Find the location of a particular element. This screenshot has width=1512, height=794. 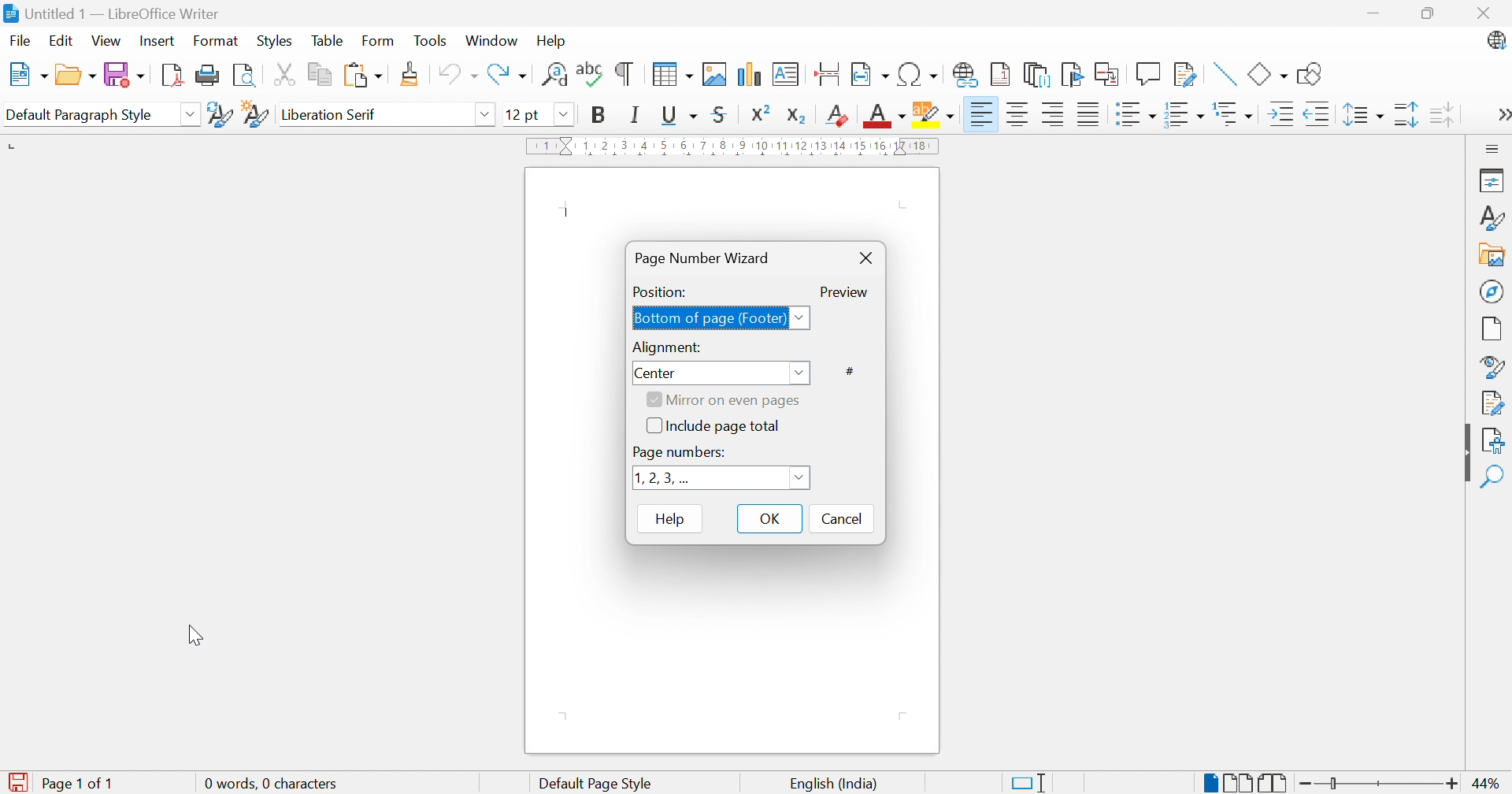

Standard selection. Click to change selection mode. is located at coordinates (1028, 783).